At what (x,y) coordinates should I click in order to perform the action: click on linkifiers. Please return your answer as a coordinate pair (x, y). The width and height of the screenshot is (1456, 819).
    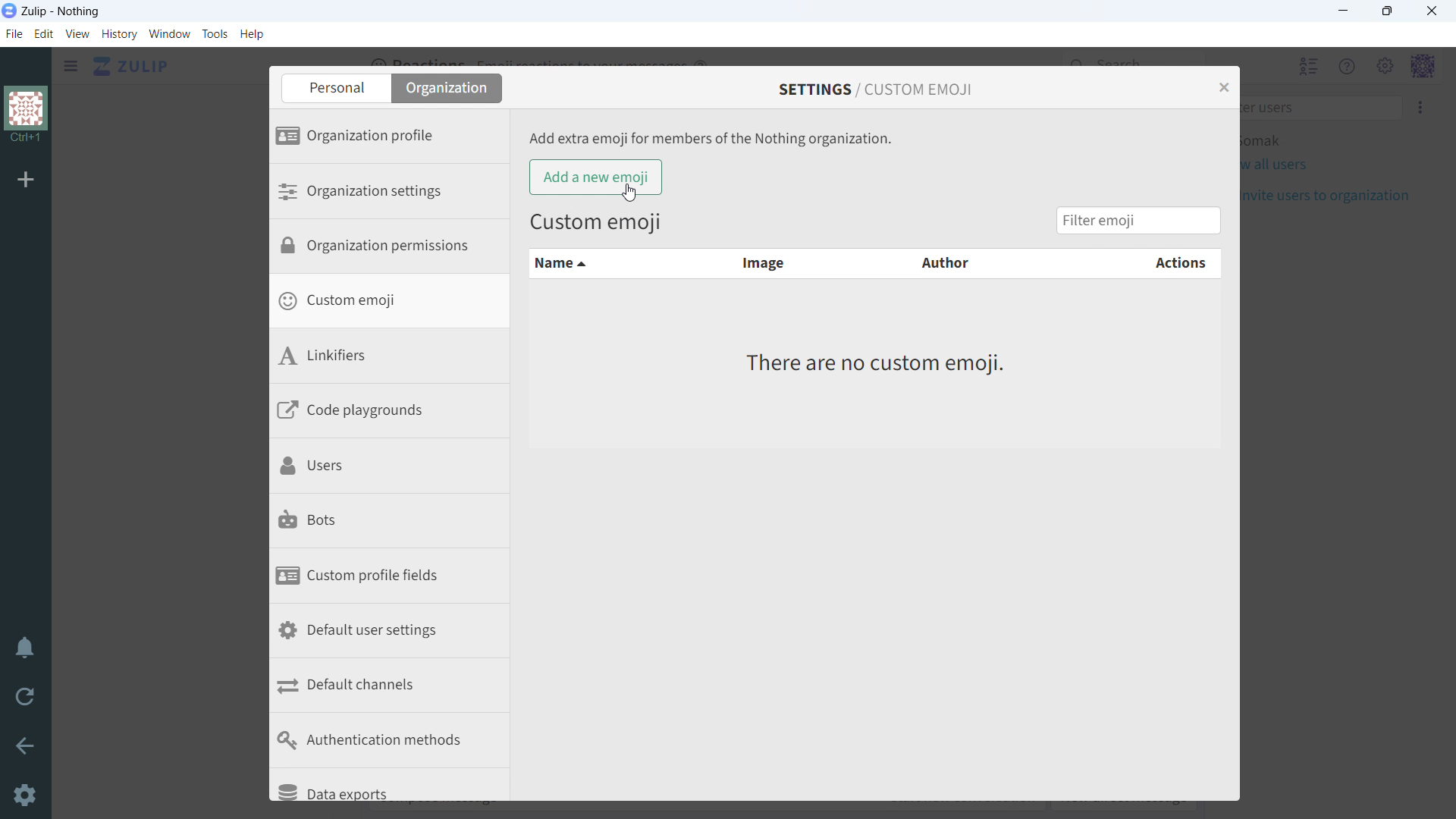
    Looking at the image, I should click on (387, 359).